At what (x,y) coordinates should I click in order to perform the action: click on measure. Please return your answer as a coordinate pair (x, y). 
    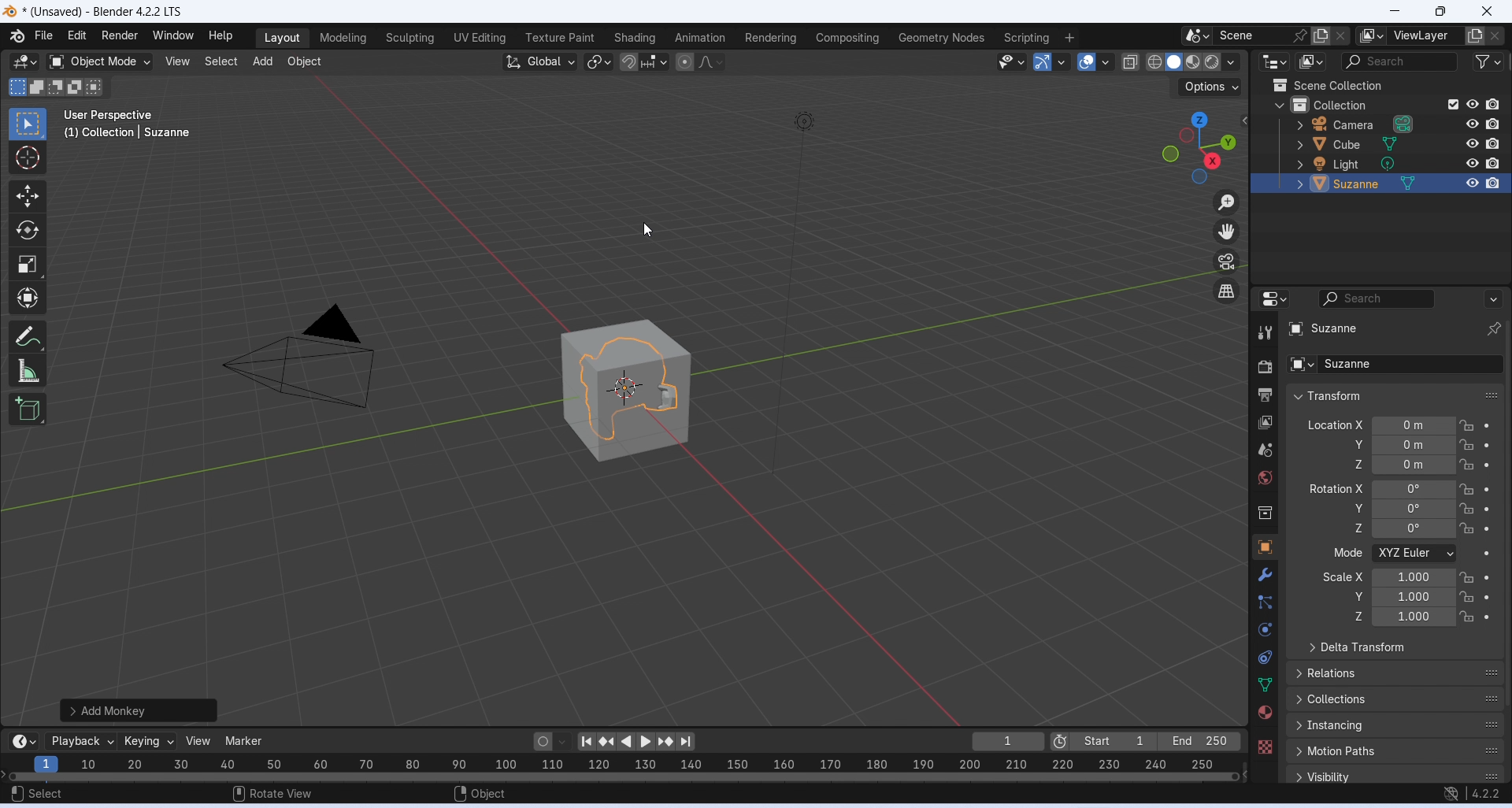
    Looking at the image, I should click on (28, 369).